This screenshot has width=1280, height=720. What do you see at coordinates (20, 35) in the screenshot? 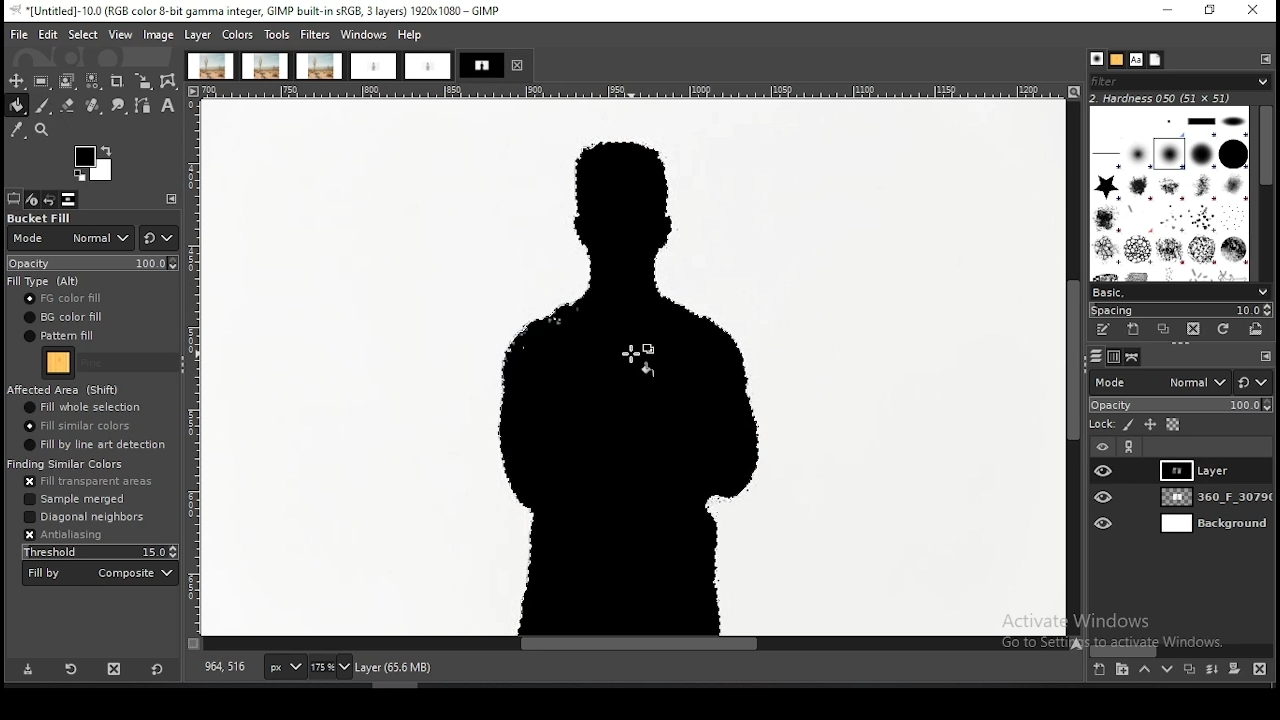
I see `file` at bounding box center [20, 35].